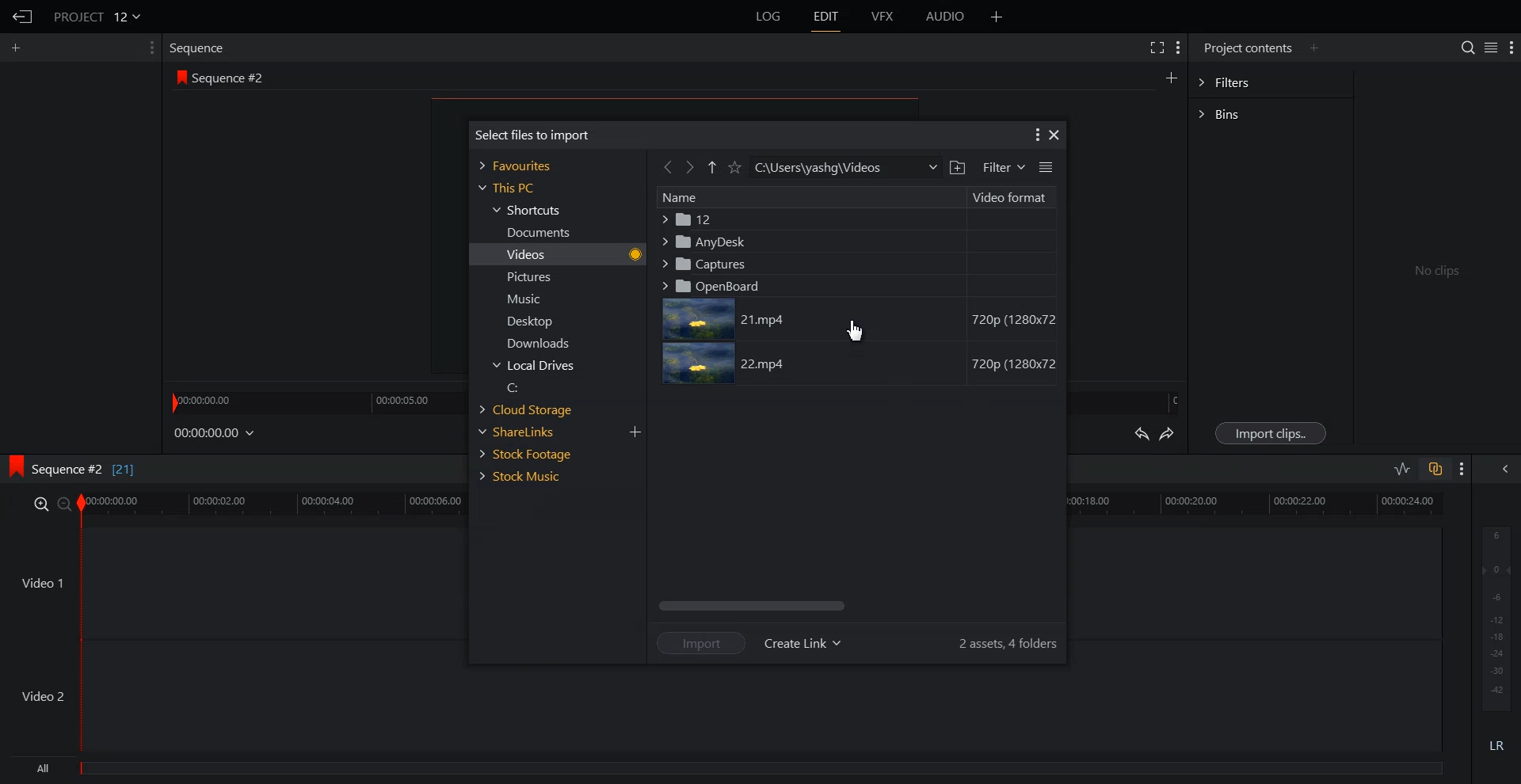 The width and height of the screenshot is (1521, 784). What do you see at coordinates (535, 277) in the screenshot?
I see `Pictures` at bounding box center [535, 277].